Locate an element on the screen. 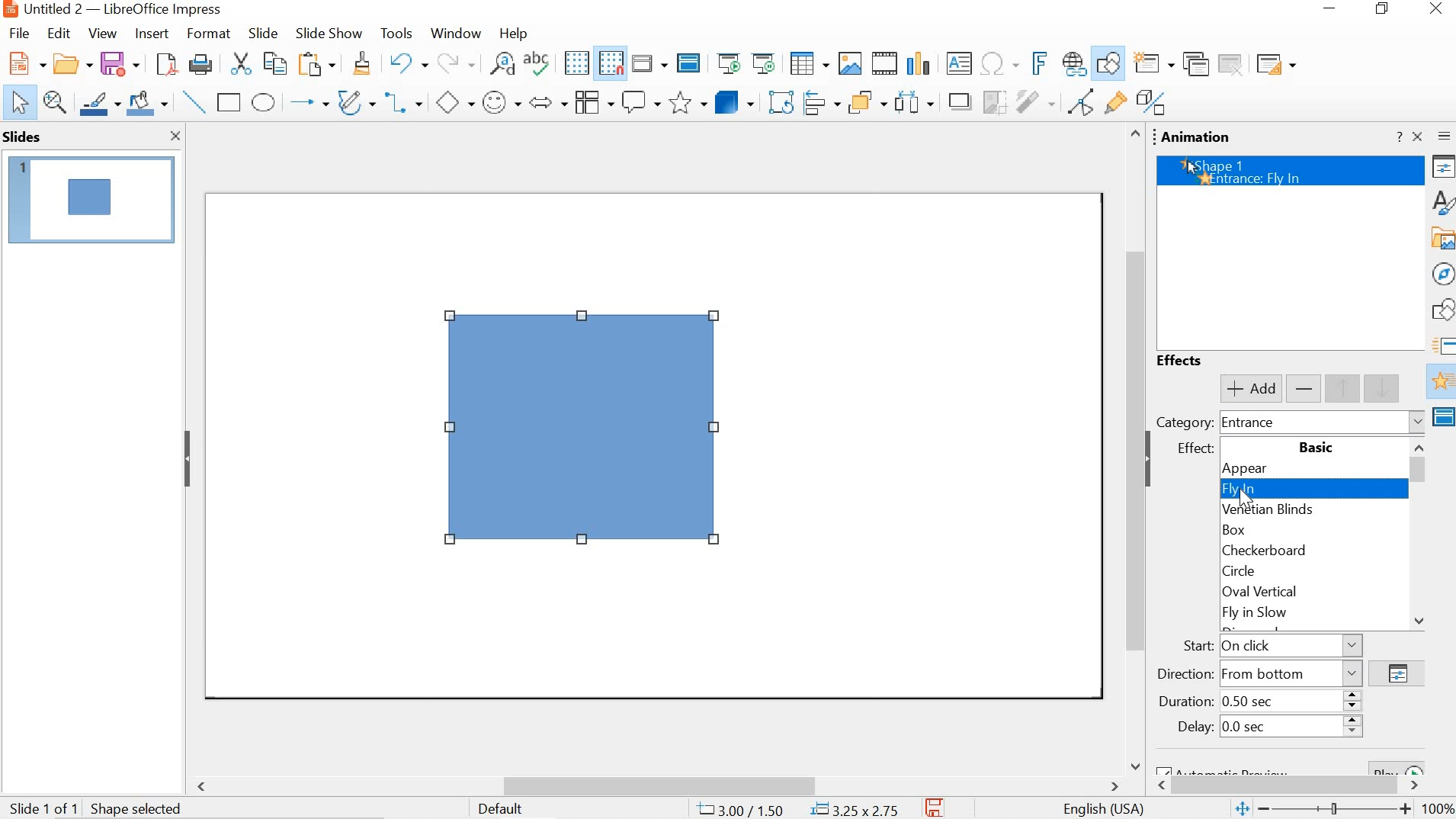 This screenshot has width=1456, height=819. scrollbar is located at coordinates (1295, 787).